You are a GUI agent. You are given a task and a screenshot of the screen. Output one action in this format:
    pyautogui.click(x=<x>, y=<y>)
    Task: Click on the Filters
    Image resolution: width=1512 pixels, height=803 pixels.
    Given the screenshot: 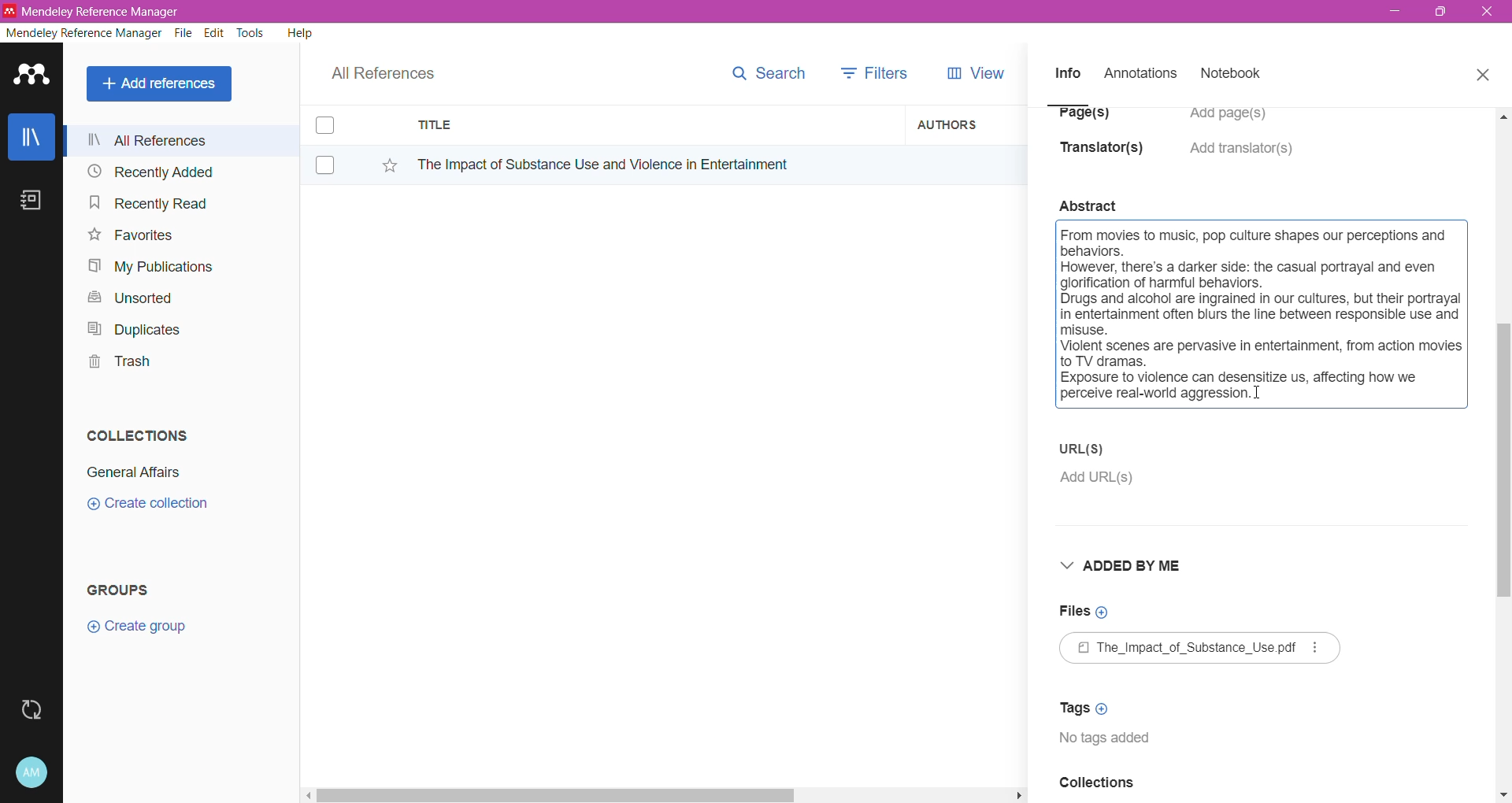 What is the action you would take?
    pyautogui.click(x=879, y=72)
    